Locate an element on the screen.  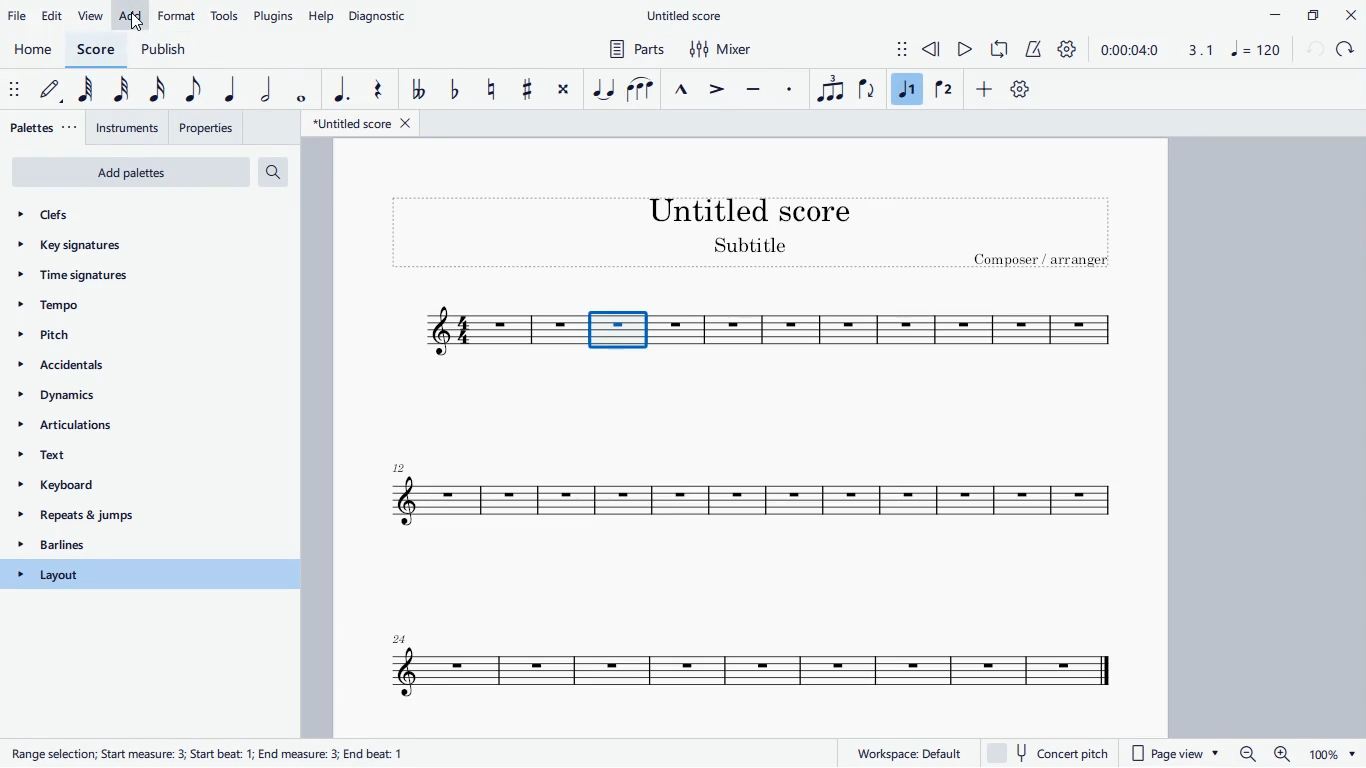
accent is located at coordinates (719, 90).